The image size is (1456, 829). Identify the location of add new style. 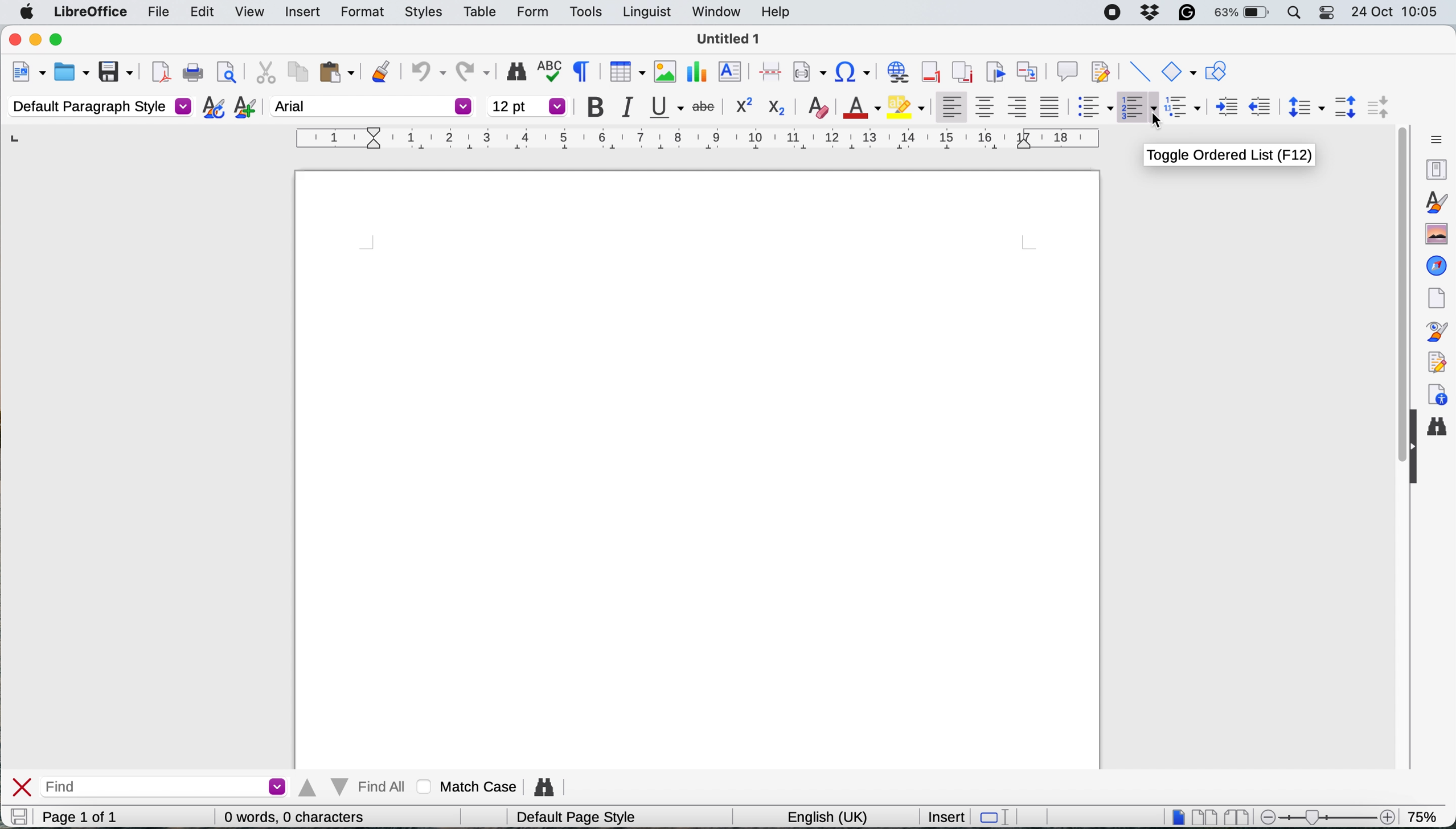
(244, 109).